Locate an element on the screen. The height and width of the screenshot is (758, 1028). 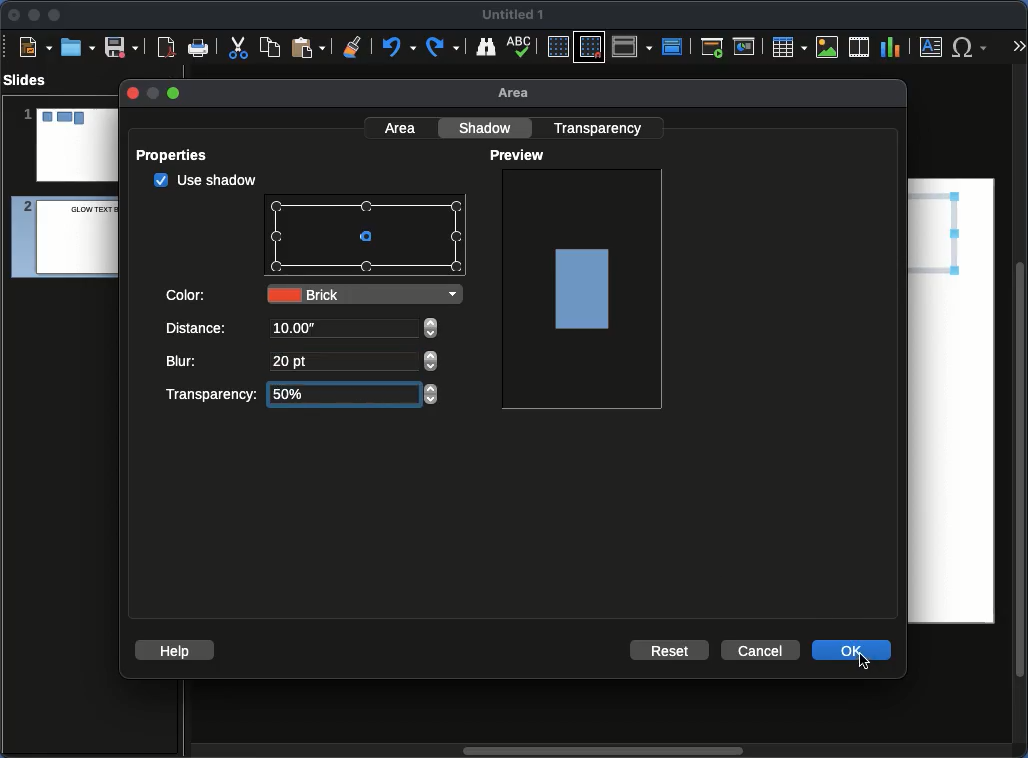
Copy is located at coordinates (270, 46).